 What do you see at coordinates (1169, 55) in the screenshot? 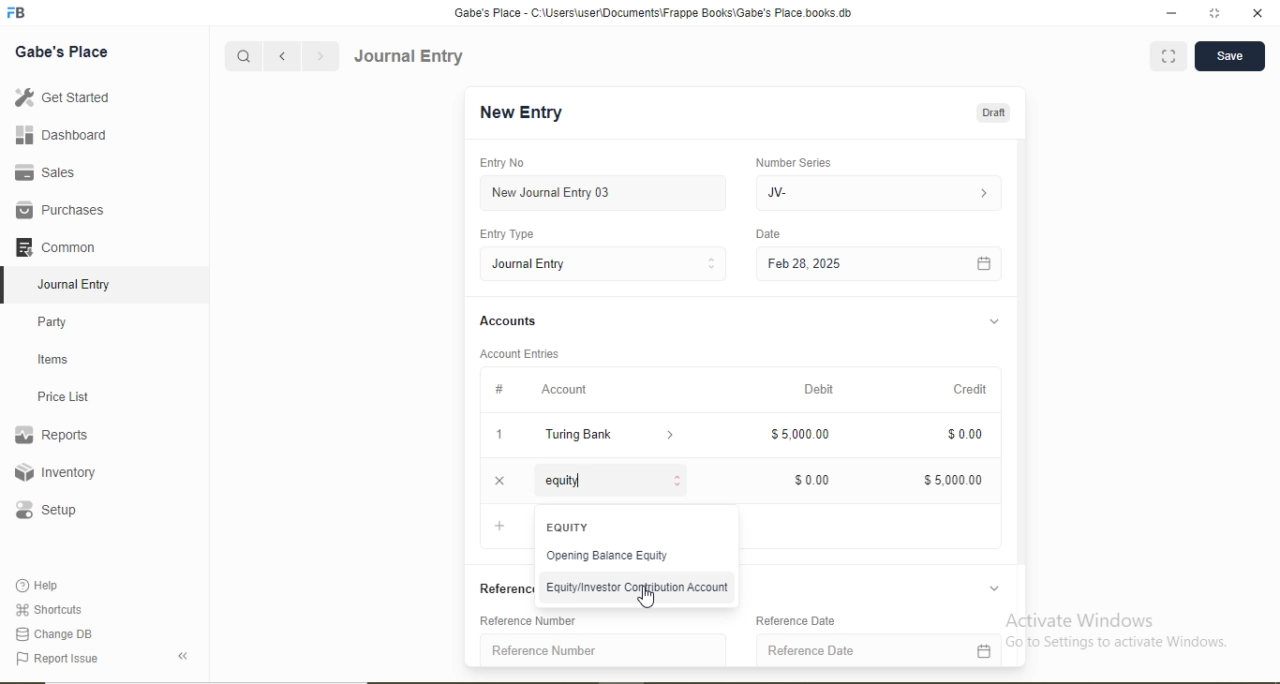
I see `Full screen` at bounding box center [1169, 55].